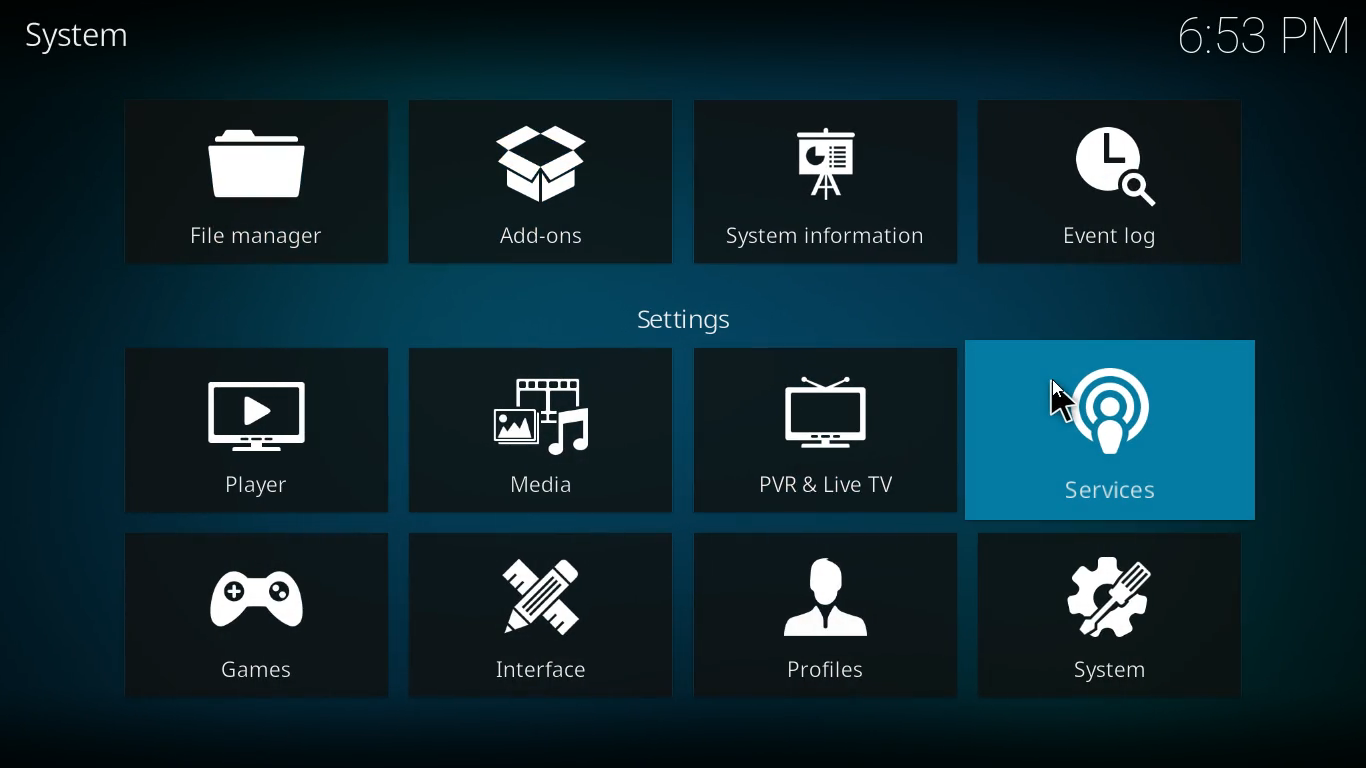 The width and height of the screenshot is (1366, 768). Describe the element at coordinates (1119, 431) in the screenshot. I see `services` at that location.